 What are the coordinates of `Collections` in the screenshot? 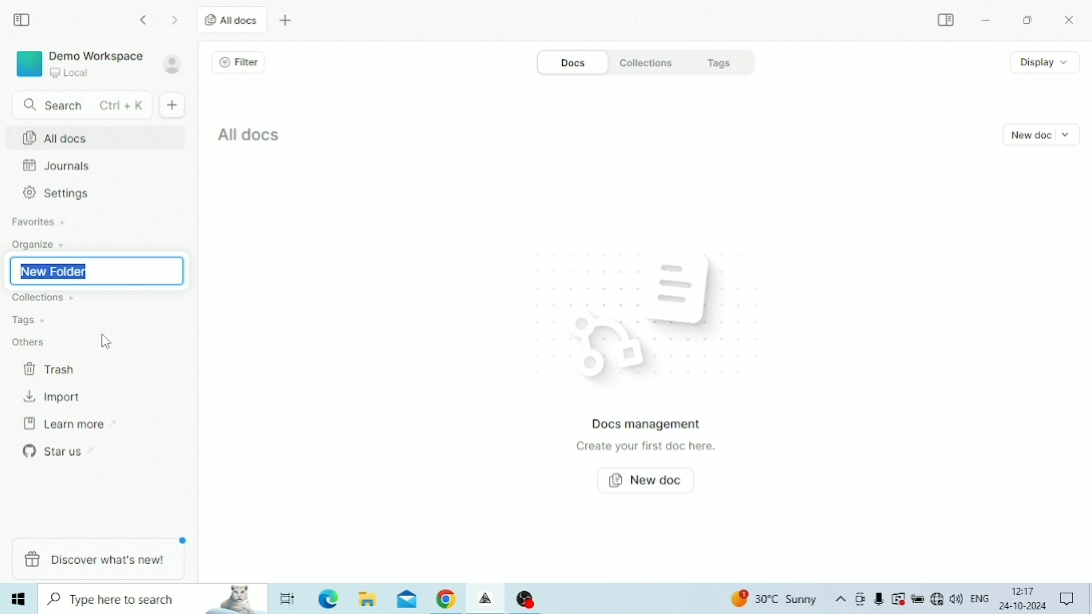 It's located at (652, 61).